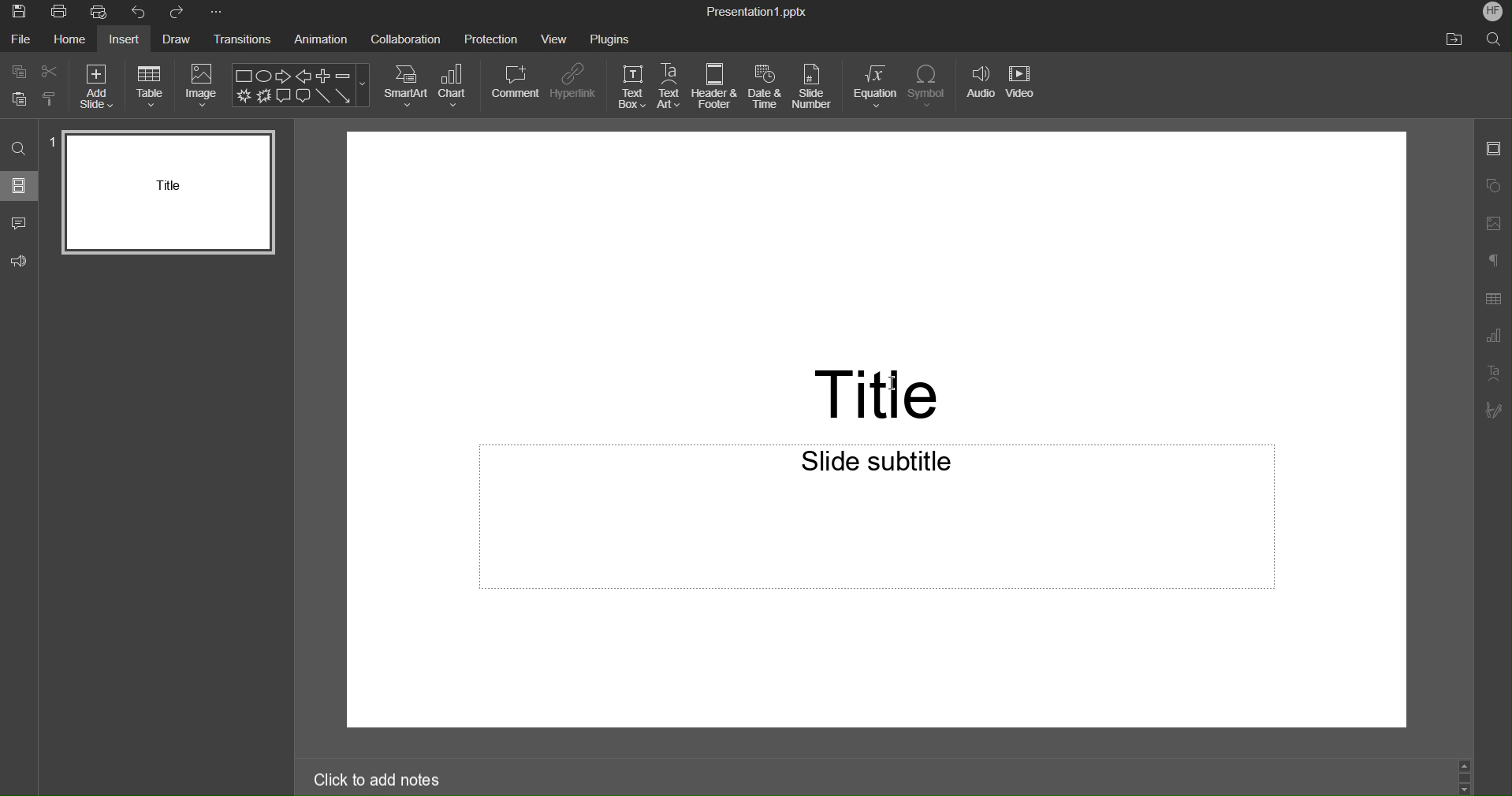  What do you see at coordinates (888, 386) in the screenshot?
I see `I-beam cursor` at bounding box center [888, 386].